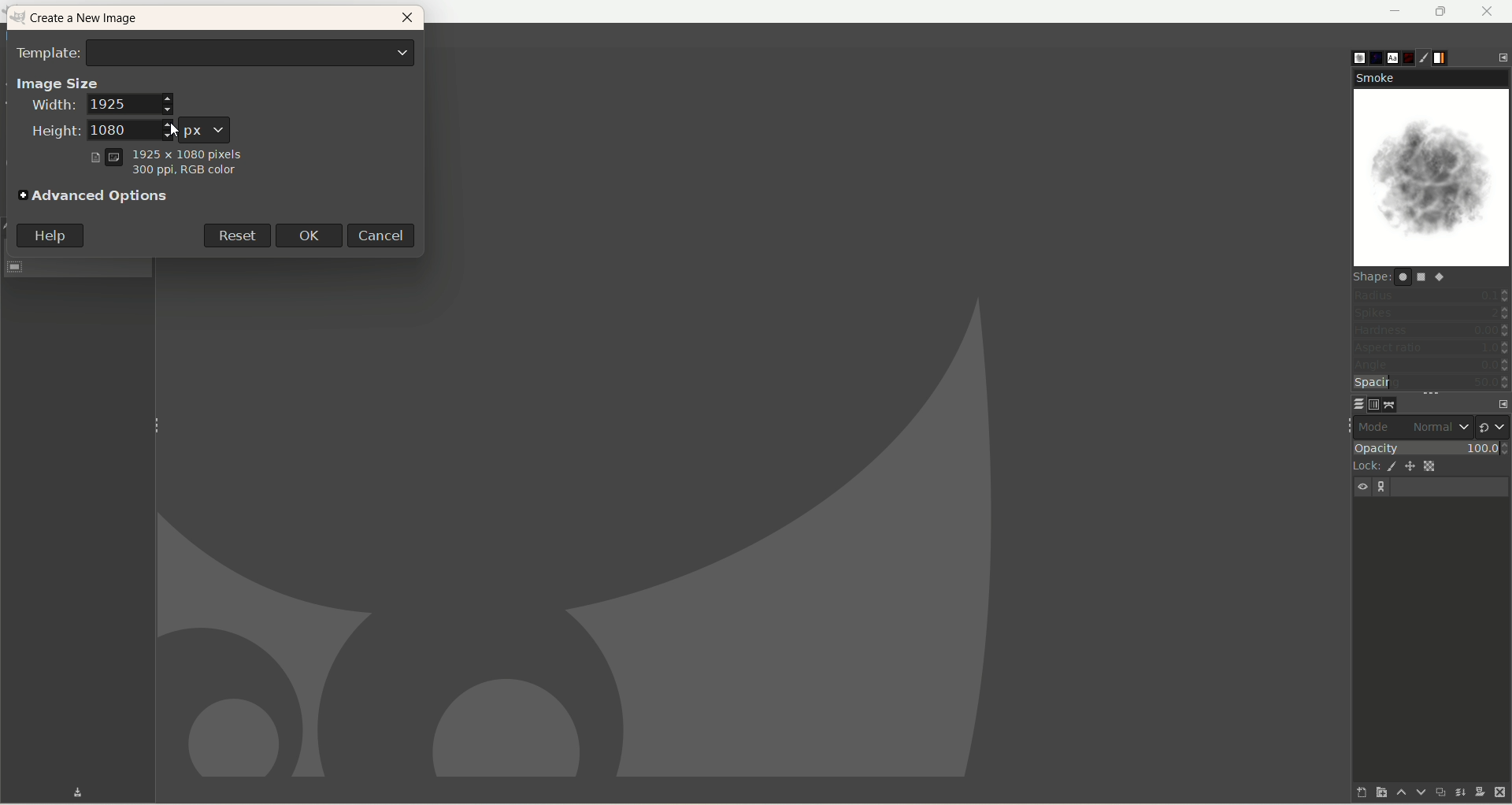 This screenshot has width=1512, height=805. I want to click on help, so click(50, 236).